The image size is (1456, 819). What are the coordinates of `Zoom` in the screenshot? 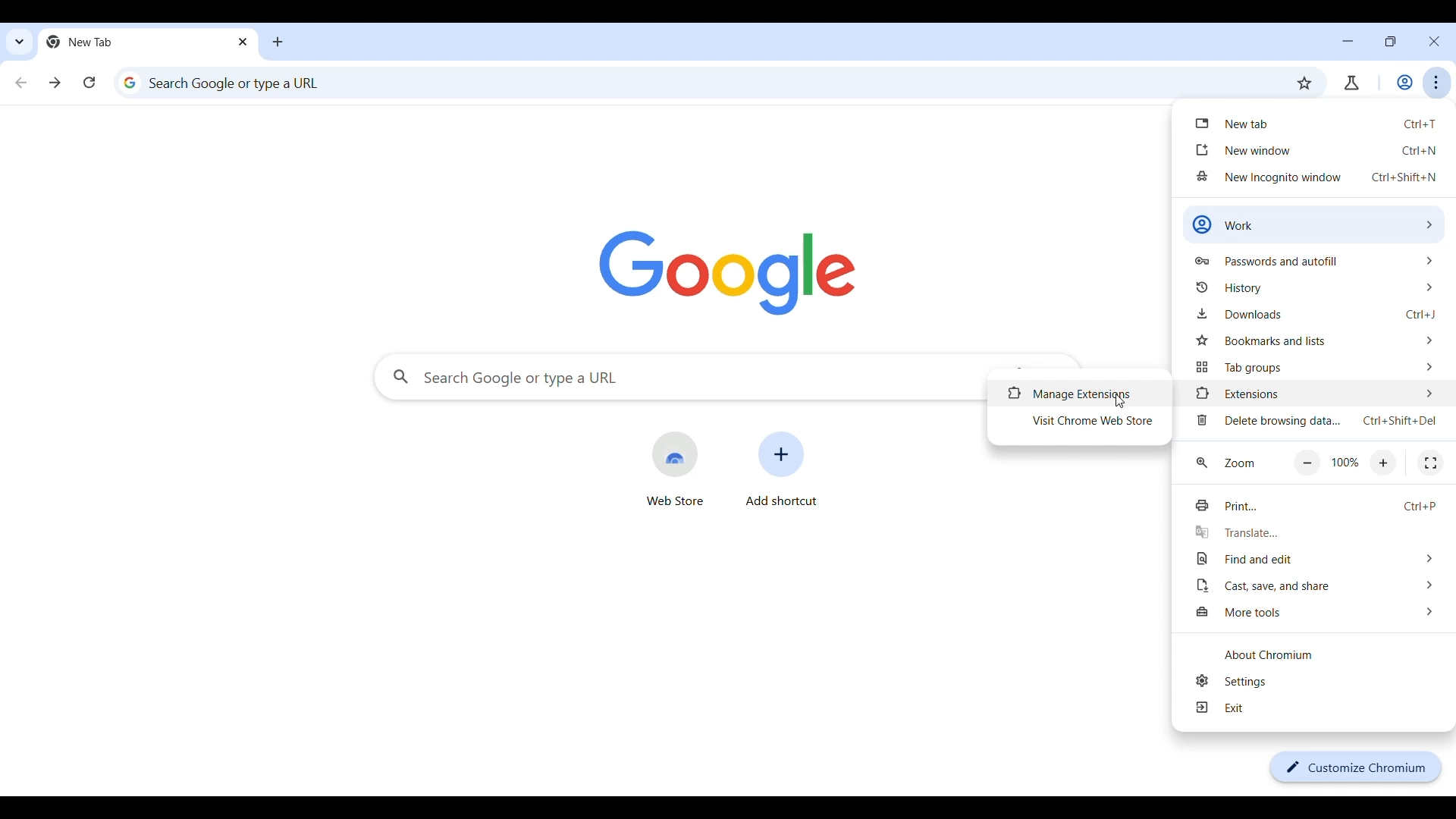 It's located at (1239, 463).